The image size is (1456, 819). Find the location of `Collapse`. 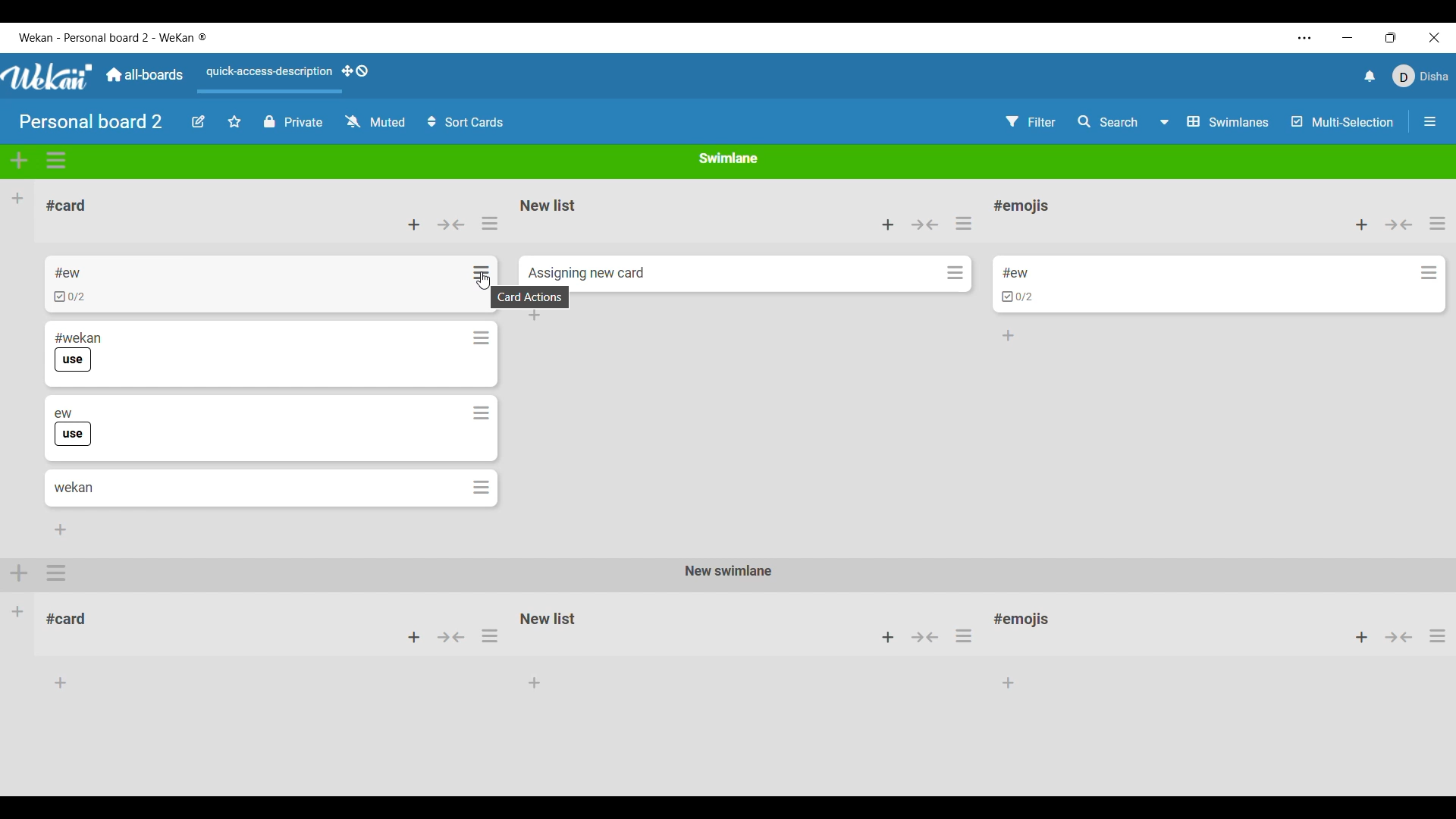

Collapse is located at coordinates (925, 224).